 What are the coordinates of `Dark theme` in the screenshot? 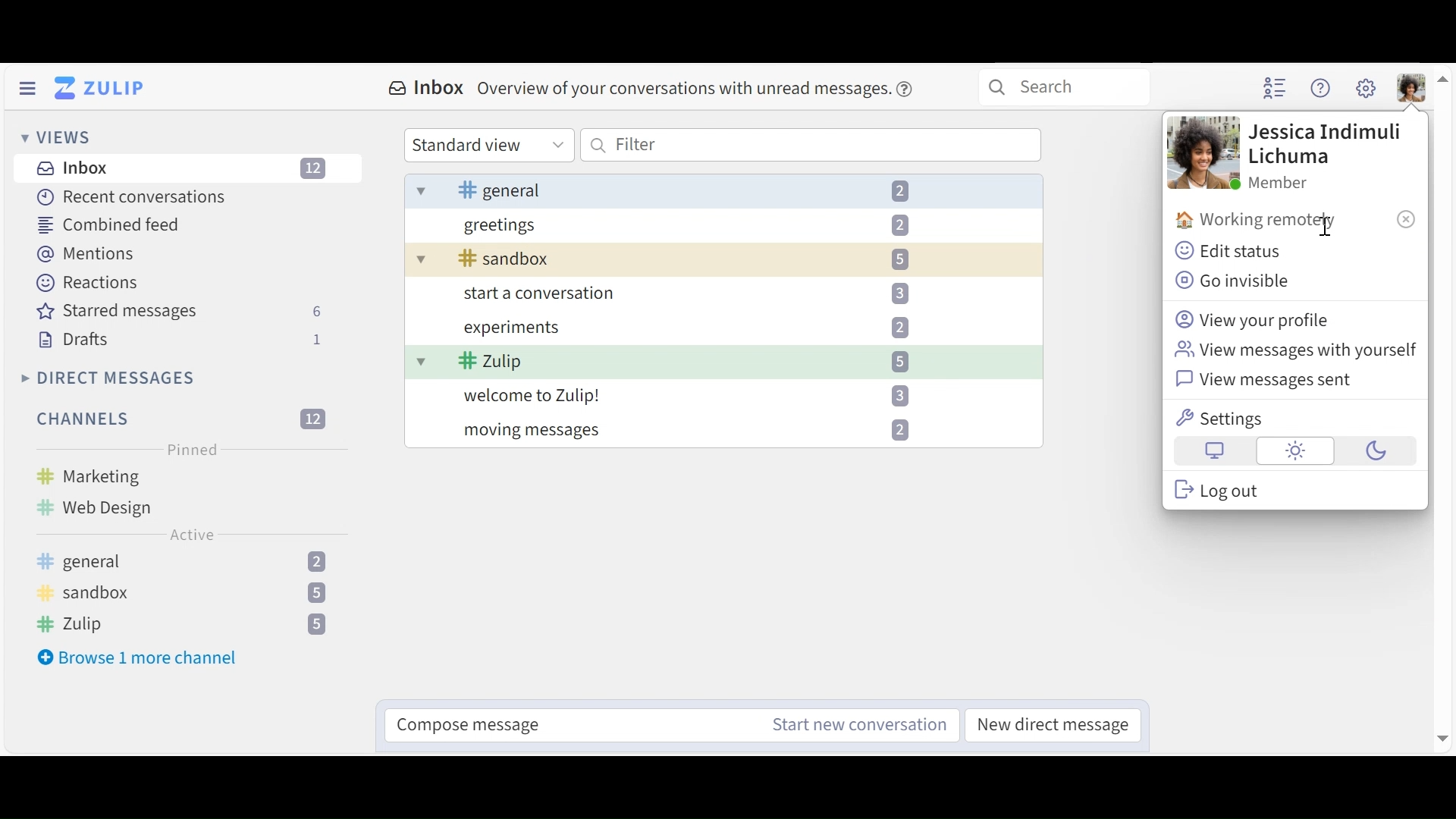 It's located at (1375, 450).